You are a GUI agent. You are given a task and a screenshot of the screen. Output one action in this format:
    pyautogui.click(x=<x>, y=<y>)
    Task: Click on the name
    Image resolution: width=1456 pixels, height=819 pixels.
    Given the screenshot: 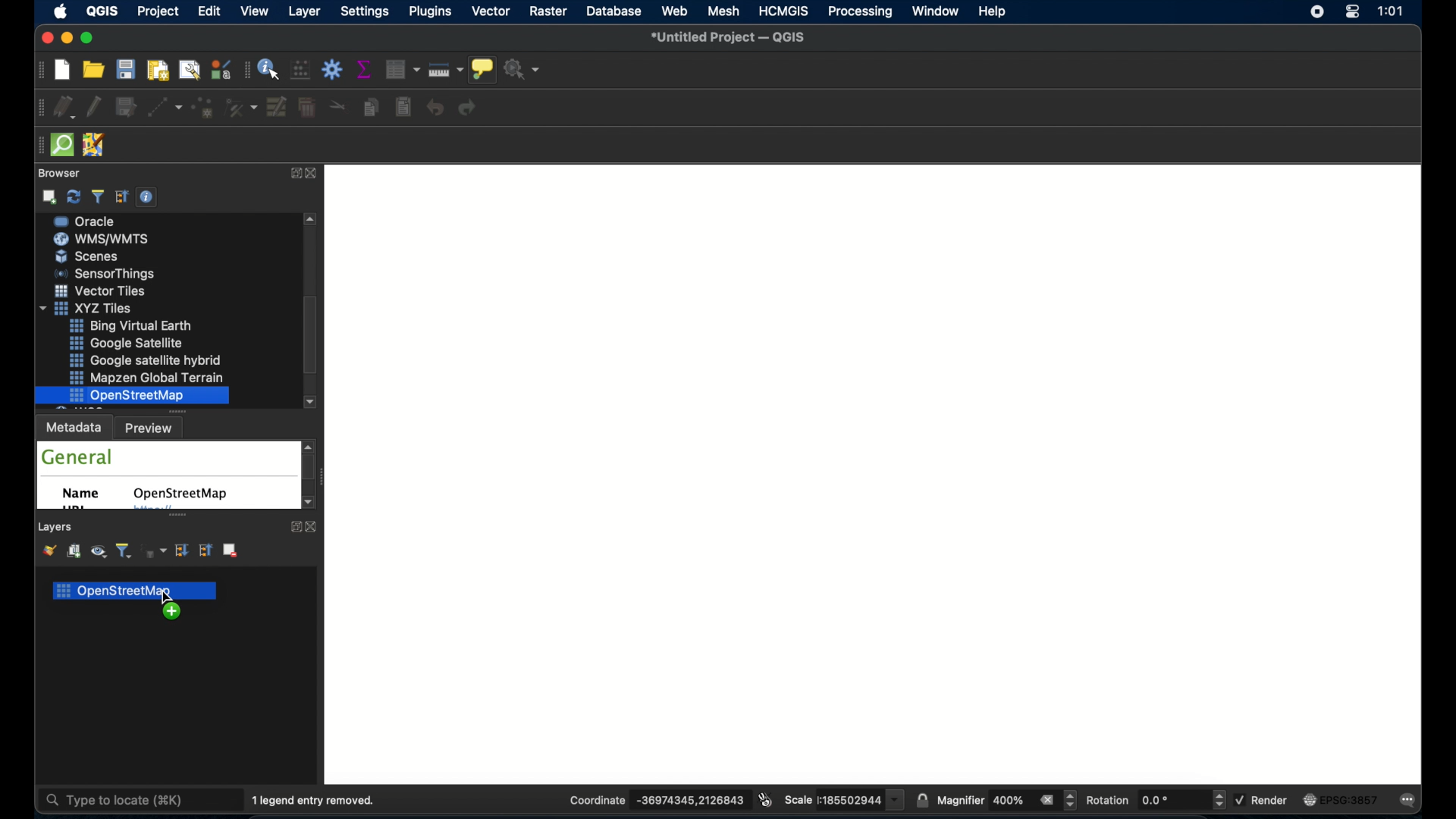 What is the action you would take?
    pyautogui.click(x=82, y=494)
    